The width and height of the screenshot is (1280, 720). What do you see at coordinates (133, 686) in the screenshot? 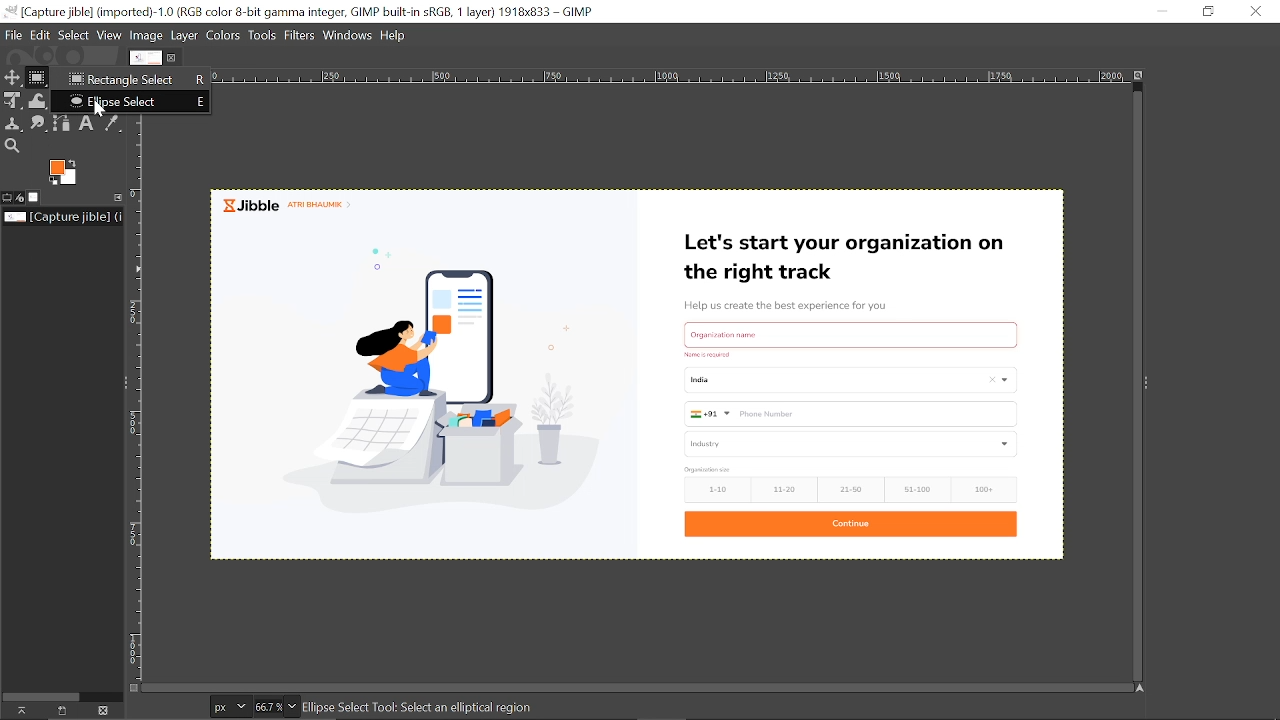
I see `Toggle quick mask on/off` at bounding box center [133, 686].